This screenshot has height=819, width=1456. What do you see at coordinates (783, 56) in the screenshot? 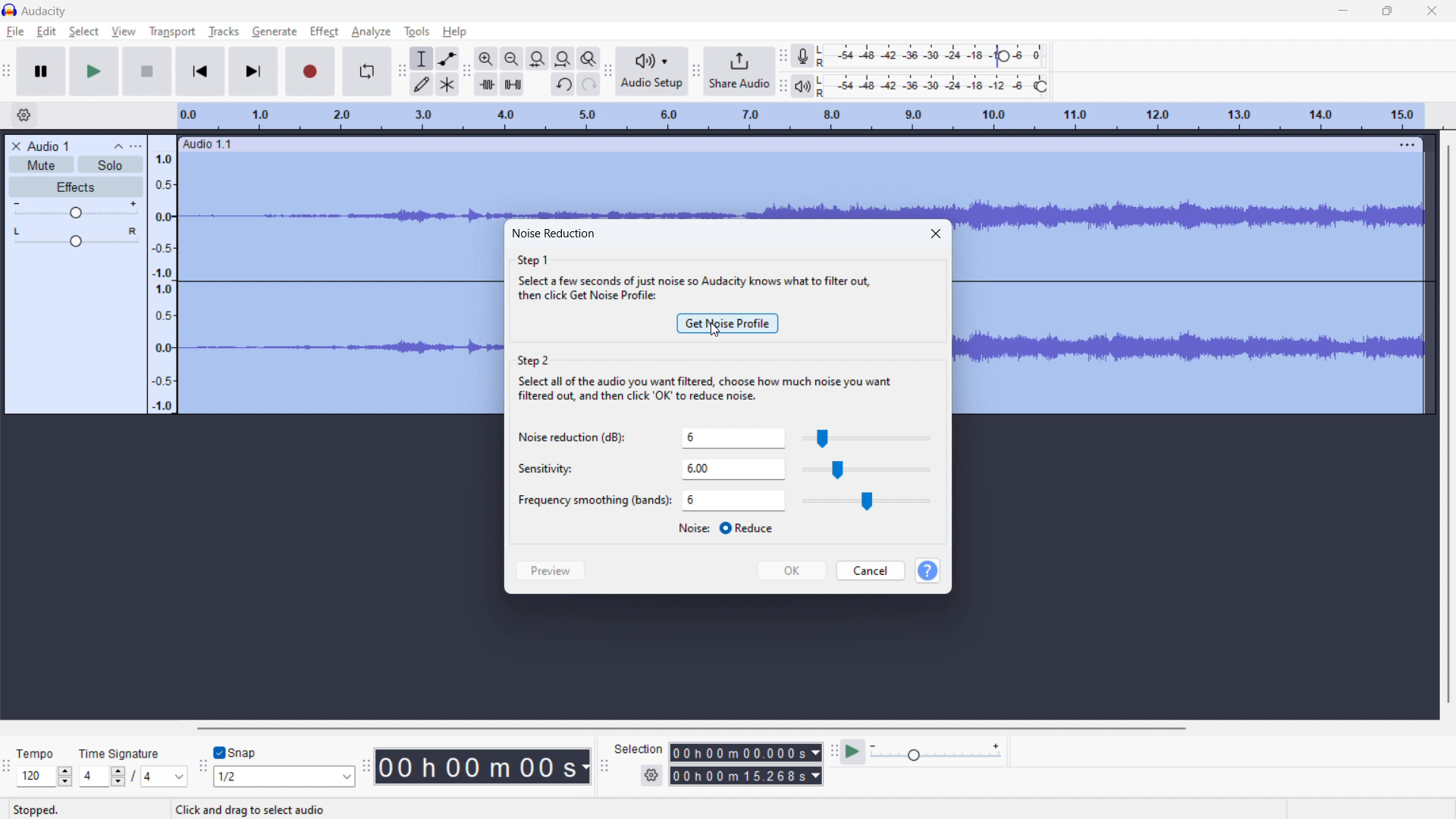
I see `recording meter toolbar` at bounding box center [783, 56].